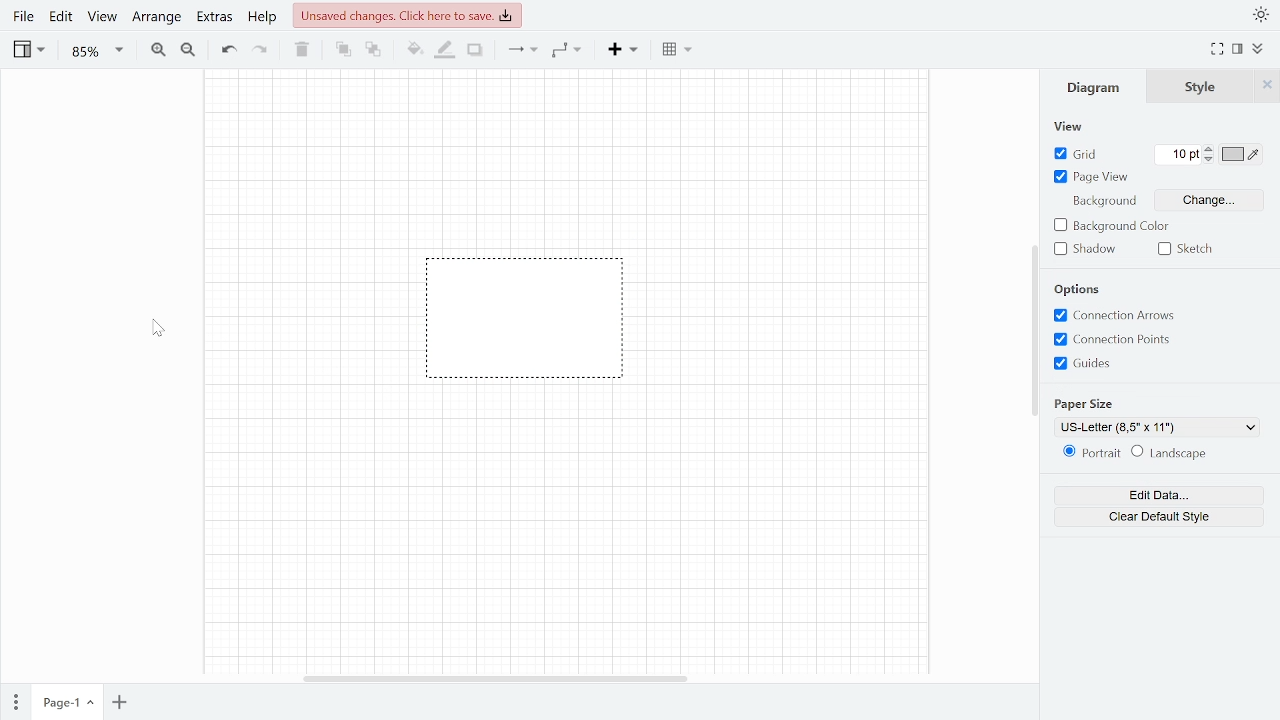  Describe the element at coordinates (1090, 453) in the screenshot. I see `Potrait` at that location.